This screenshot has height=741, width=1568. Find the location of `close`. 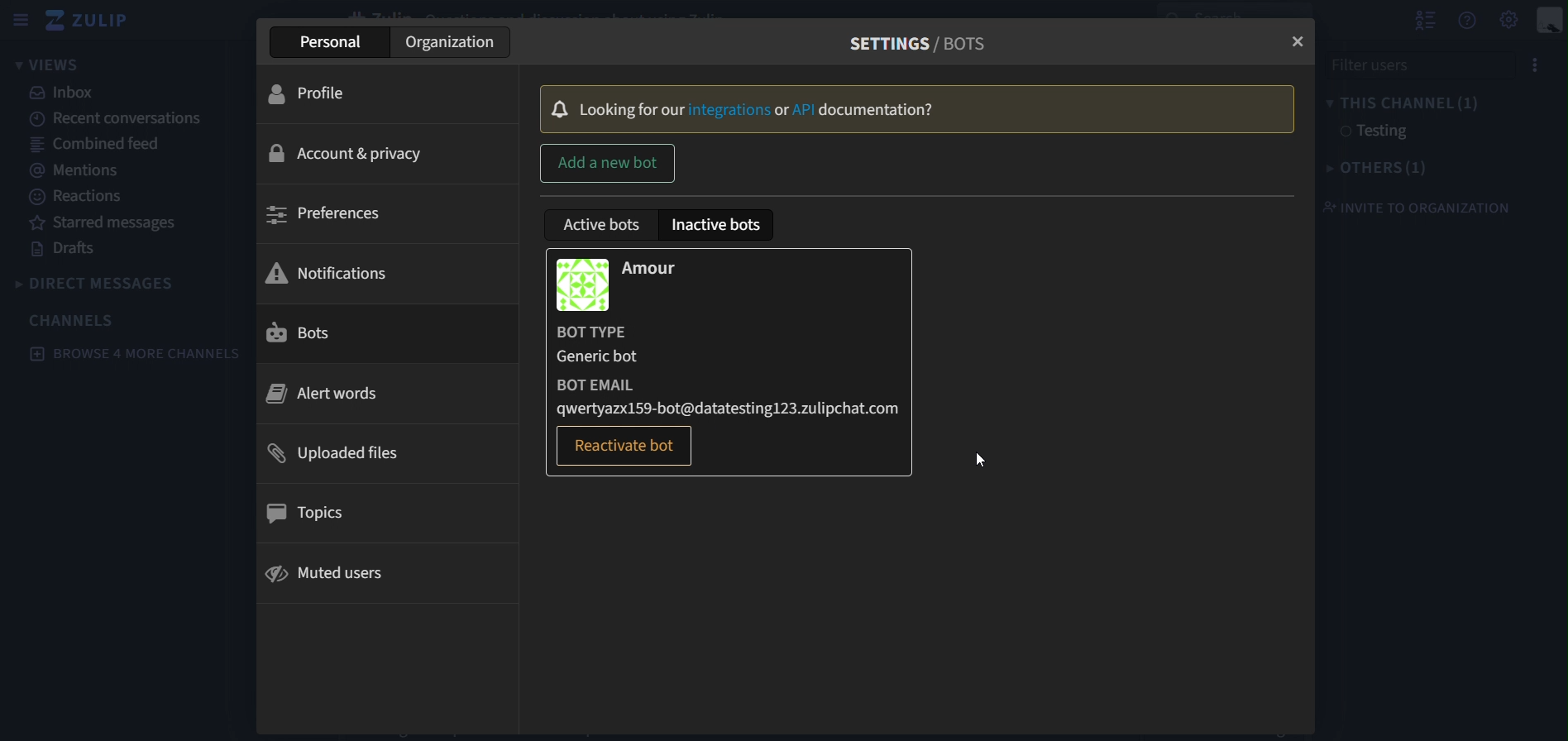

close is located at coordinates (1296, 42).